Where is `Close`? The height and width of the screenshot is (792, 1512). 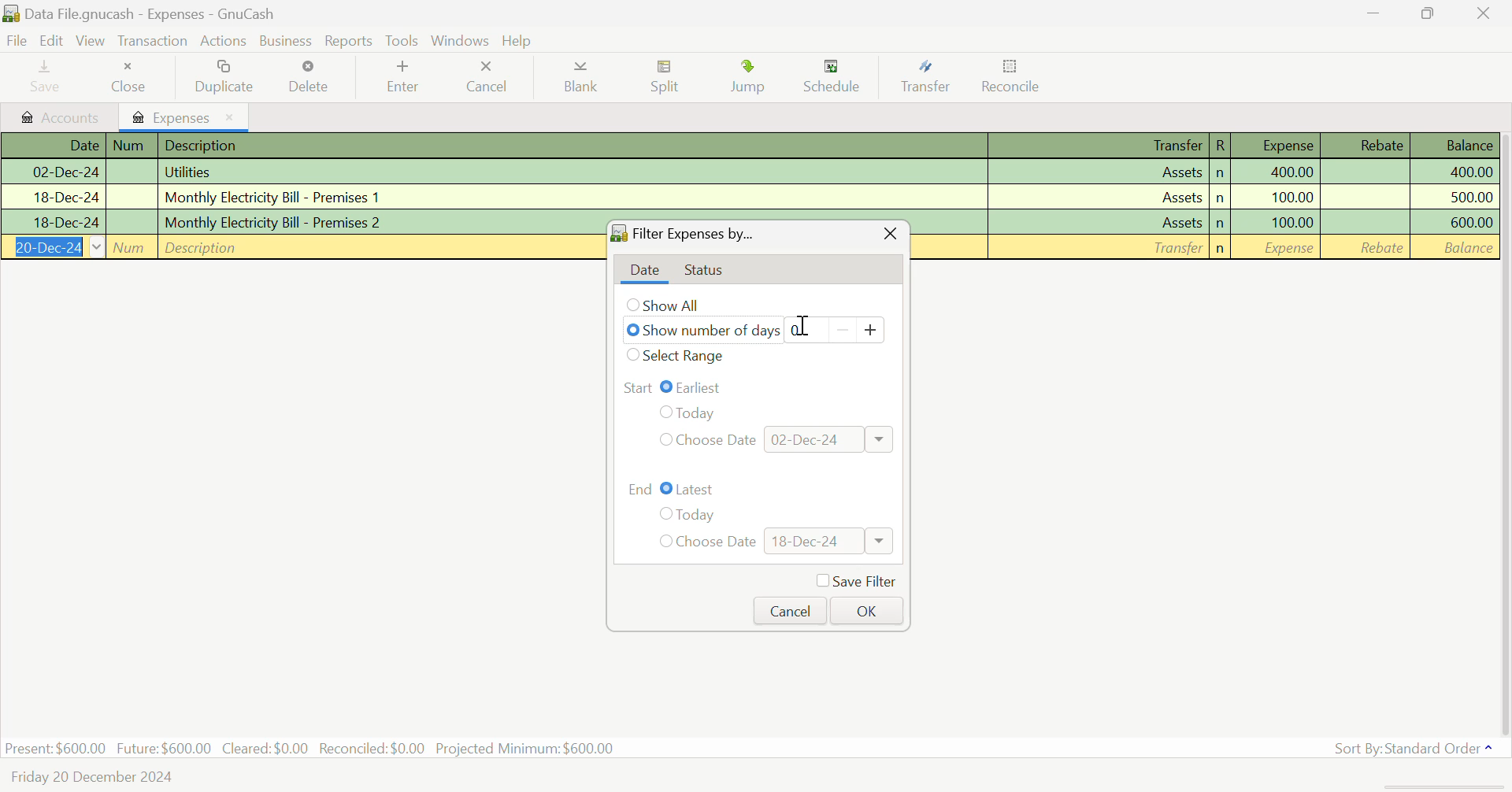 Close is located at coordinates (889, 235).